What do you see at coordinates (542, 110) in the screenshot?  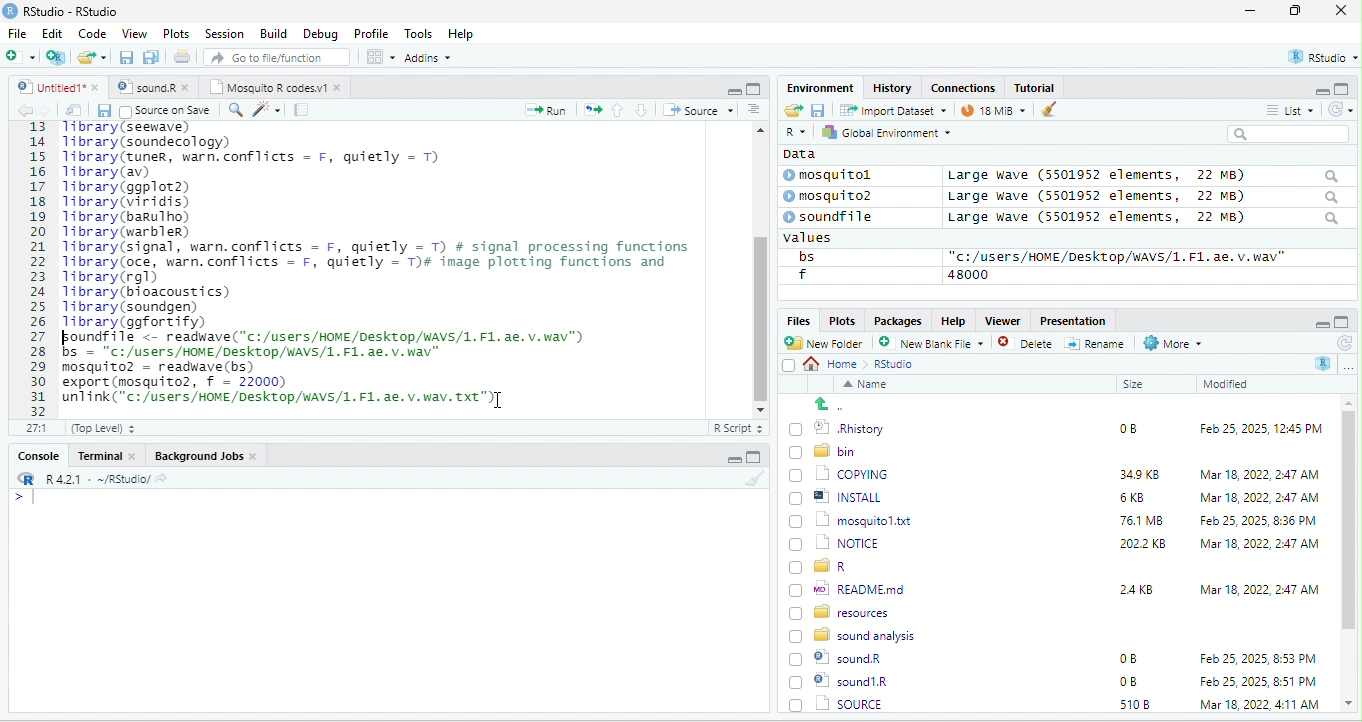 I see `Run` at bounding box center [542, 110].